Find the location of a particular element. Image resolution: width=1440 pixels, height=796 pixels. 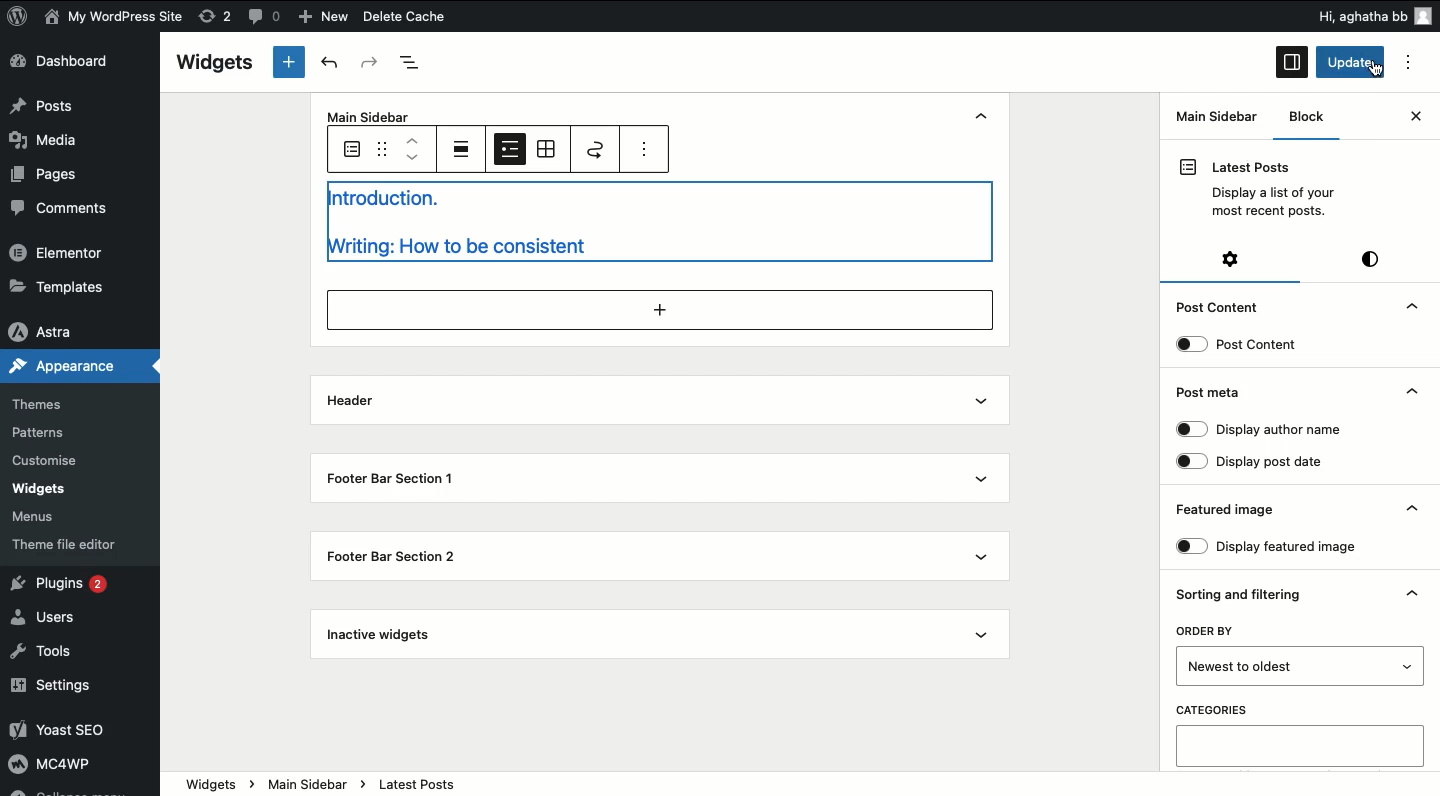

Post meta is located at coordinates (1221, 394).